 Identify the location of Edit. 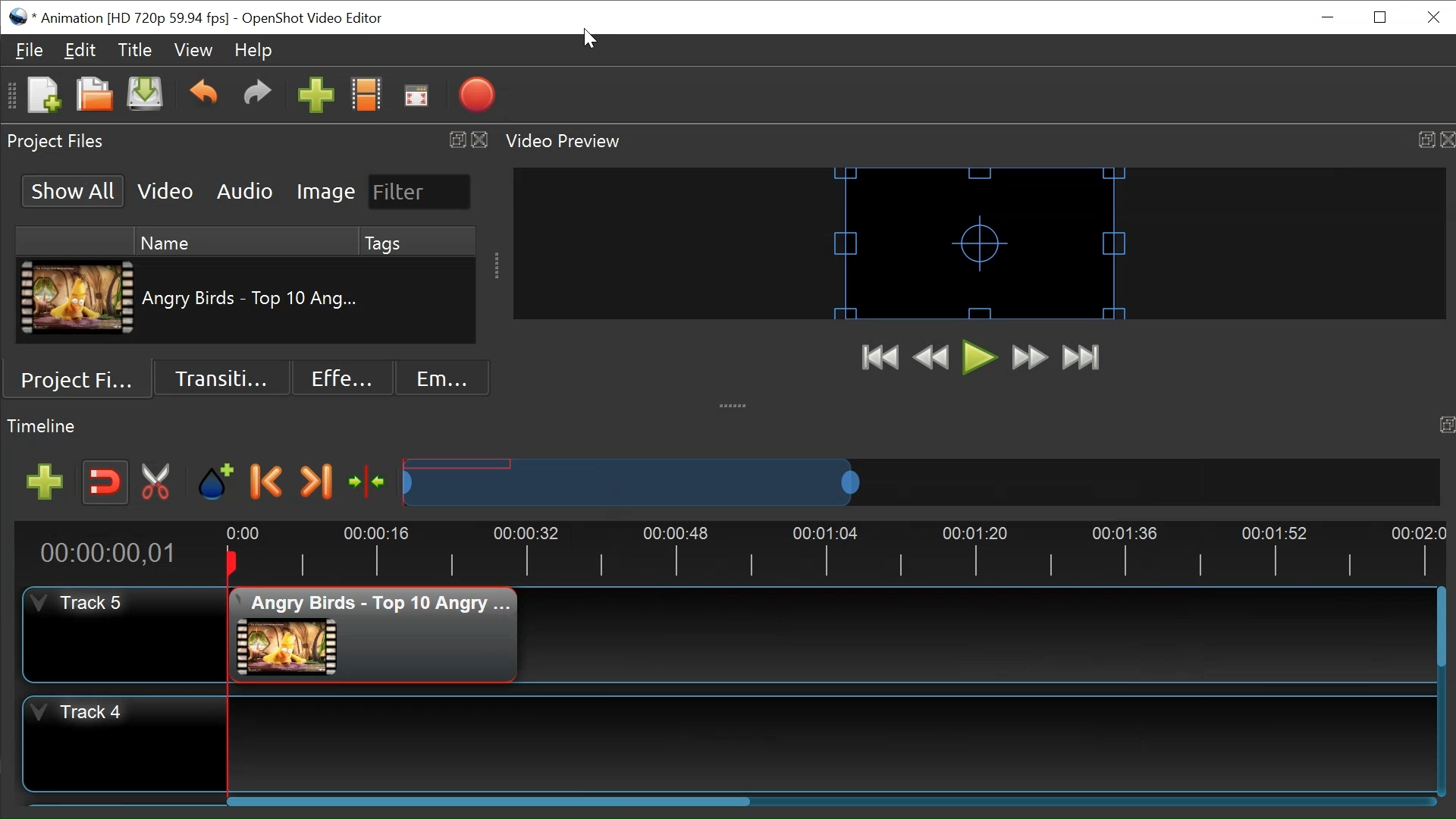
(80, 52).